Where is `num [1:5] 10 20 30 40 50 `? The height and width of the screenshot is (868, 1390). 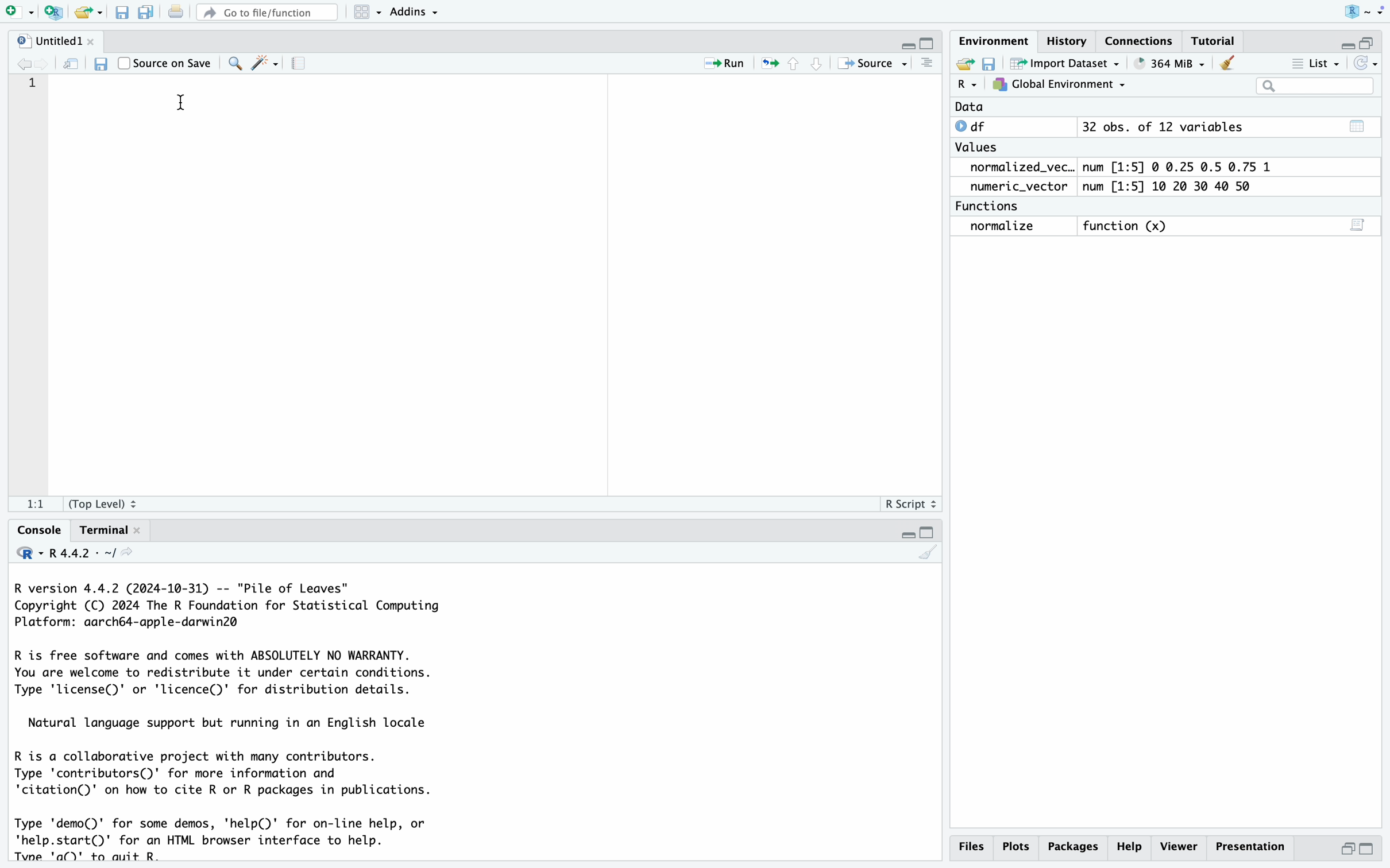 num [1:5] 10 20 30 40 50  is located at coordinates (1172, 187).